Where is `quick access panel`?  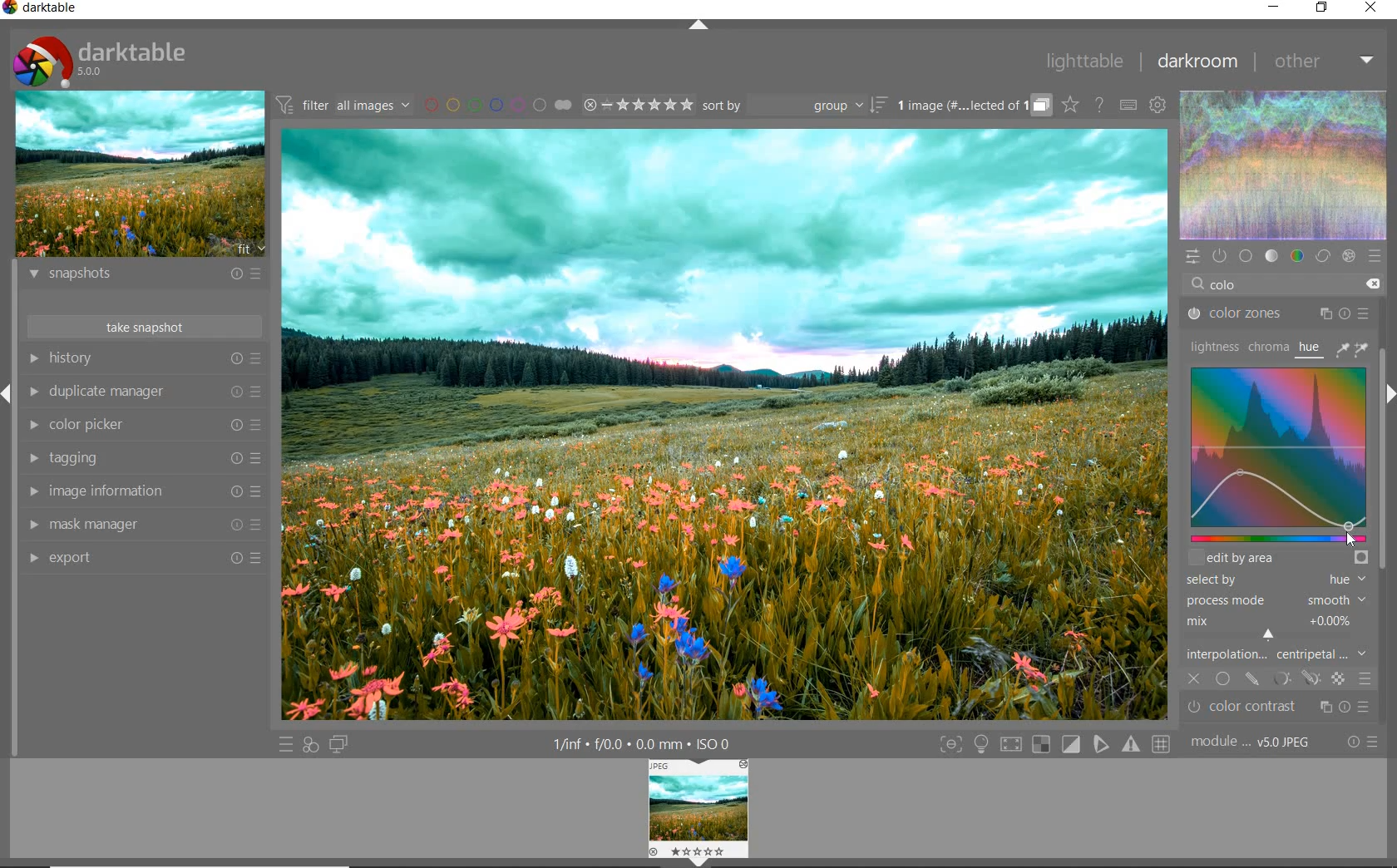
quick access panel is located at coordinates (1194, 257).